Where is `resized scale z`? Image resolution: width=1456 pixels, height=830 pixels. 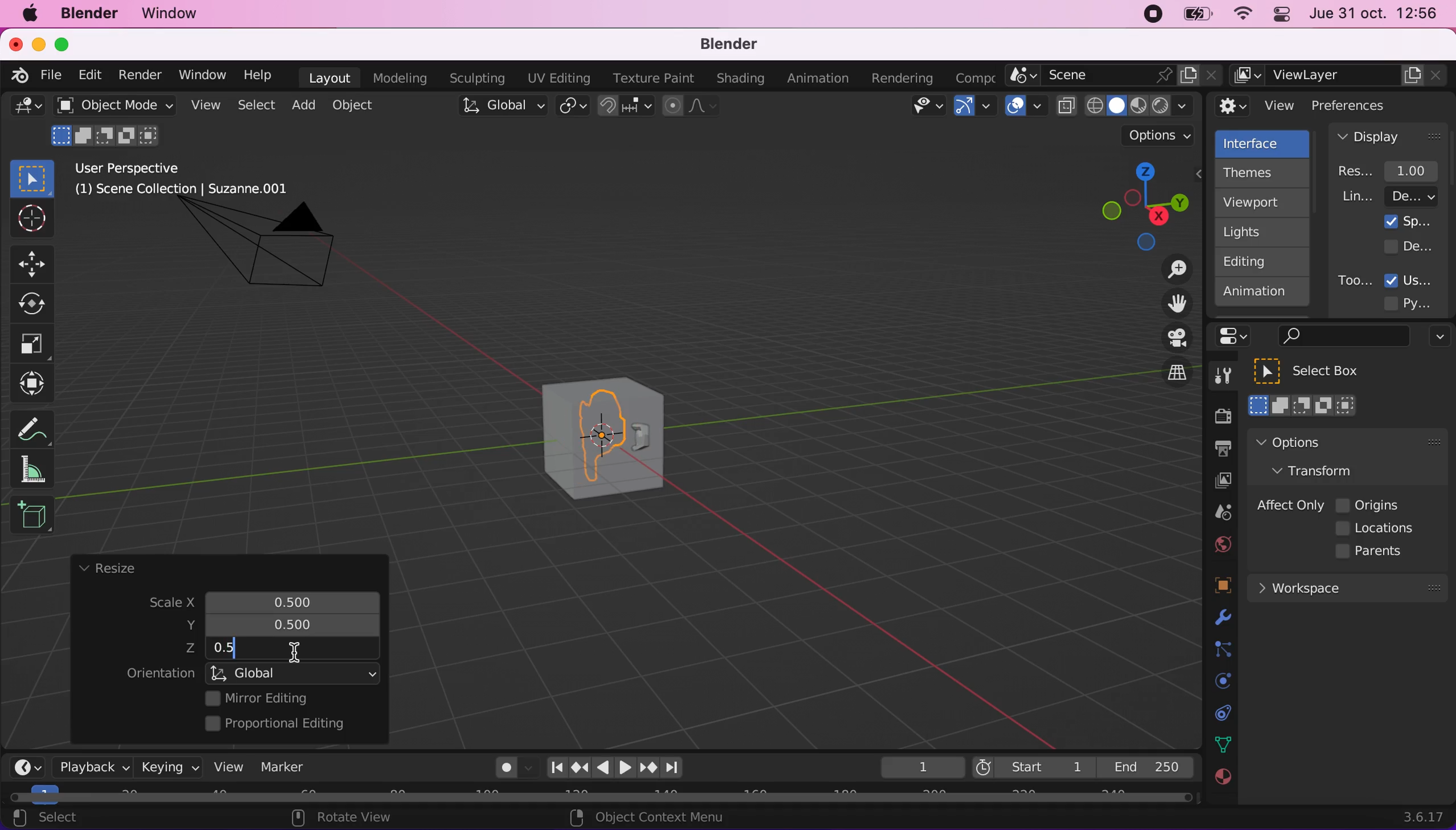
resized scale z is located at coordinates (236, 649).